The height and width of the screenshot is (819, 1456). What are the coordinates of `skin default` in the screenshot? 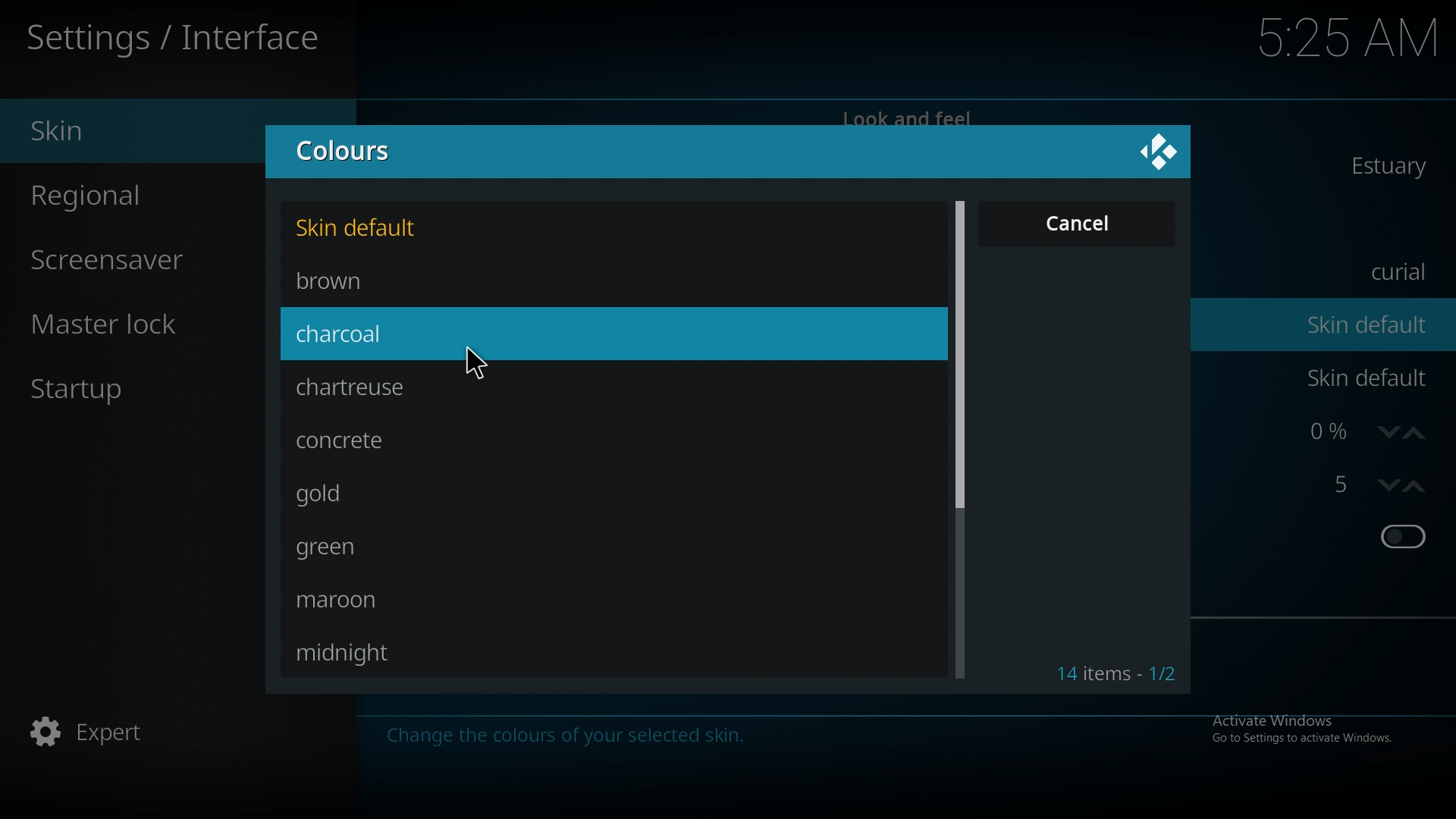 It's located at (1370, 378).